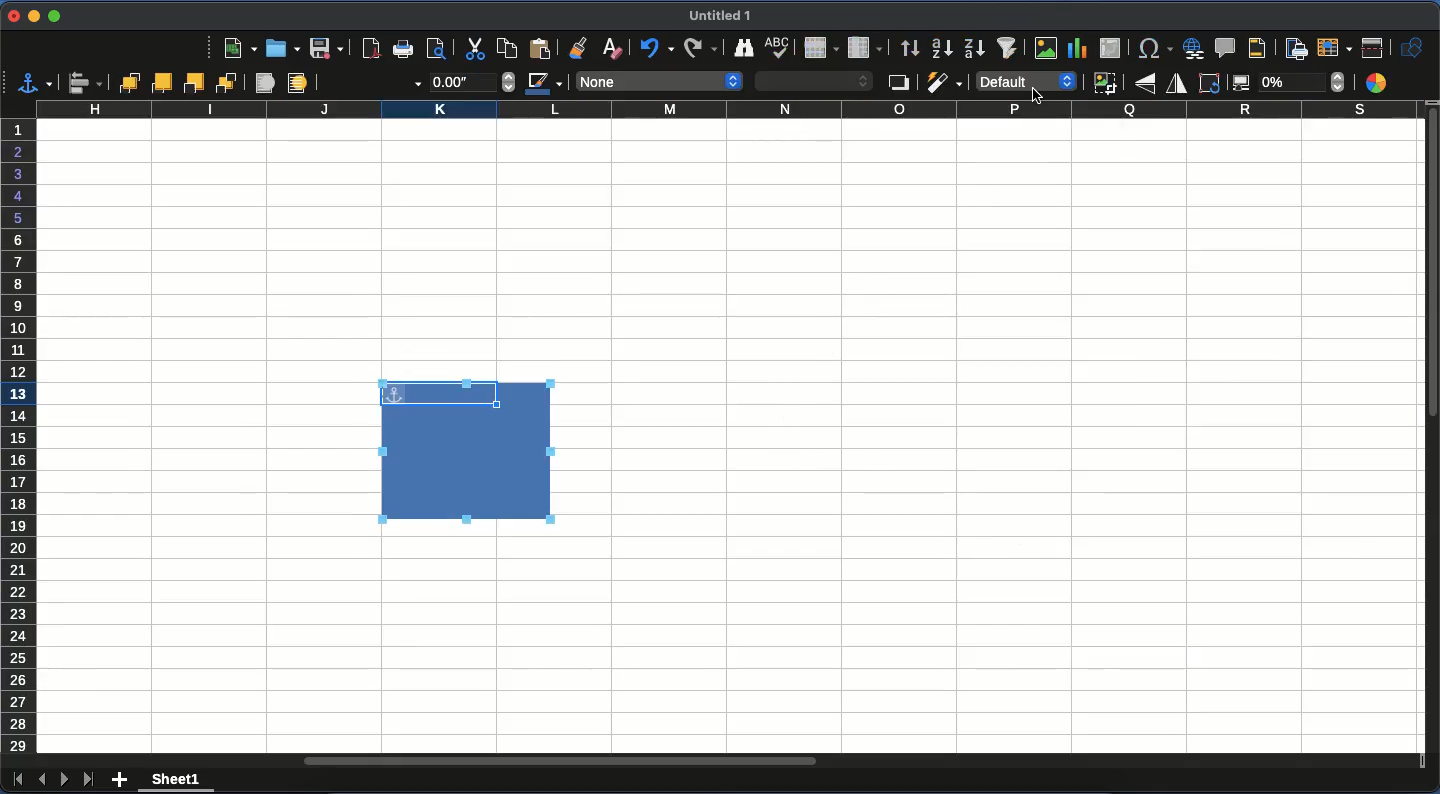 The image size is (1440, 794). Describe the element at coordinates (719, 15) in the screenshot. I see `untitled` at that location.